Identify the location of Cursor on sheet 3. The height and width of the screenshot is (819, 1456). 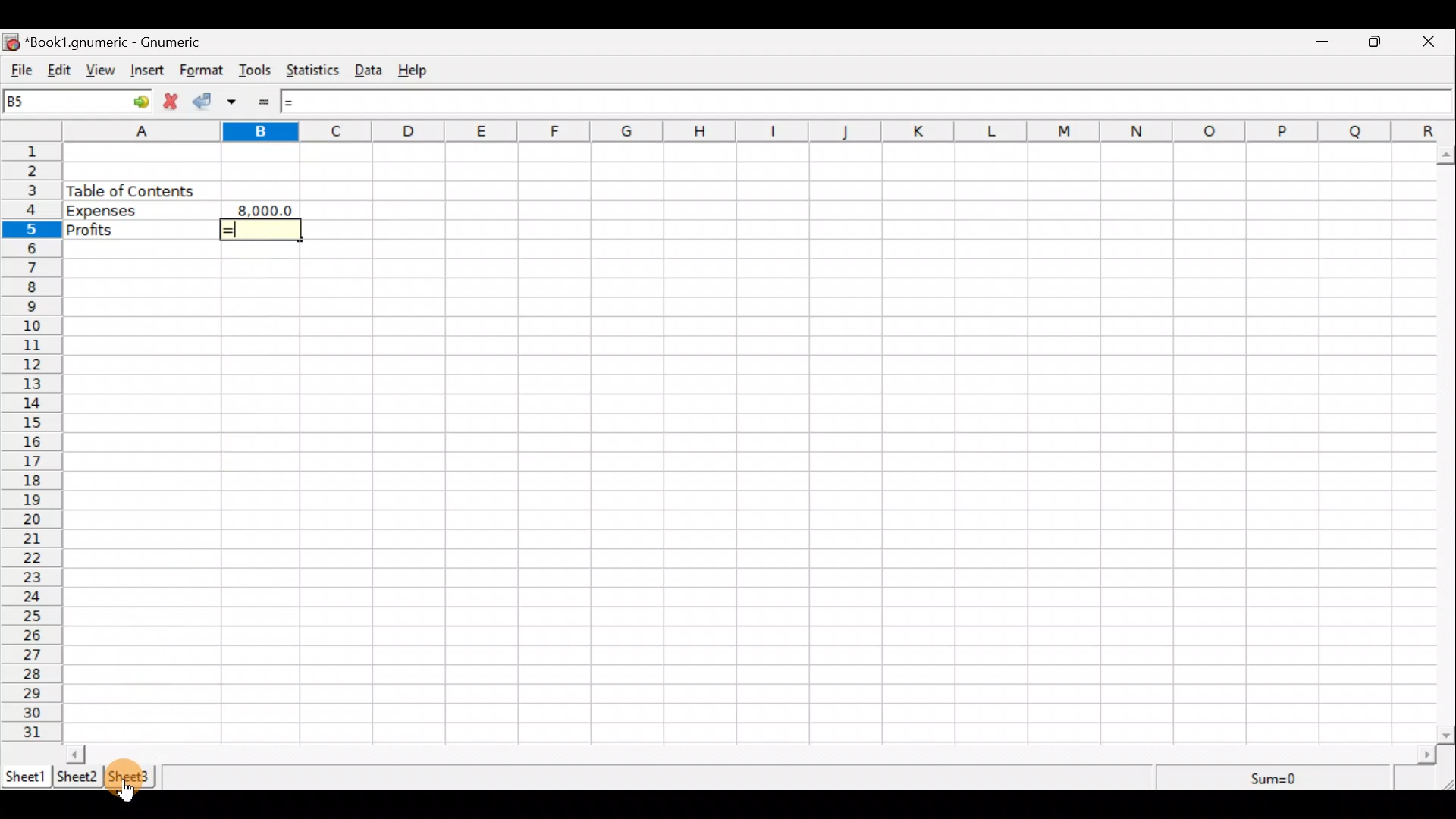
(130, 795).